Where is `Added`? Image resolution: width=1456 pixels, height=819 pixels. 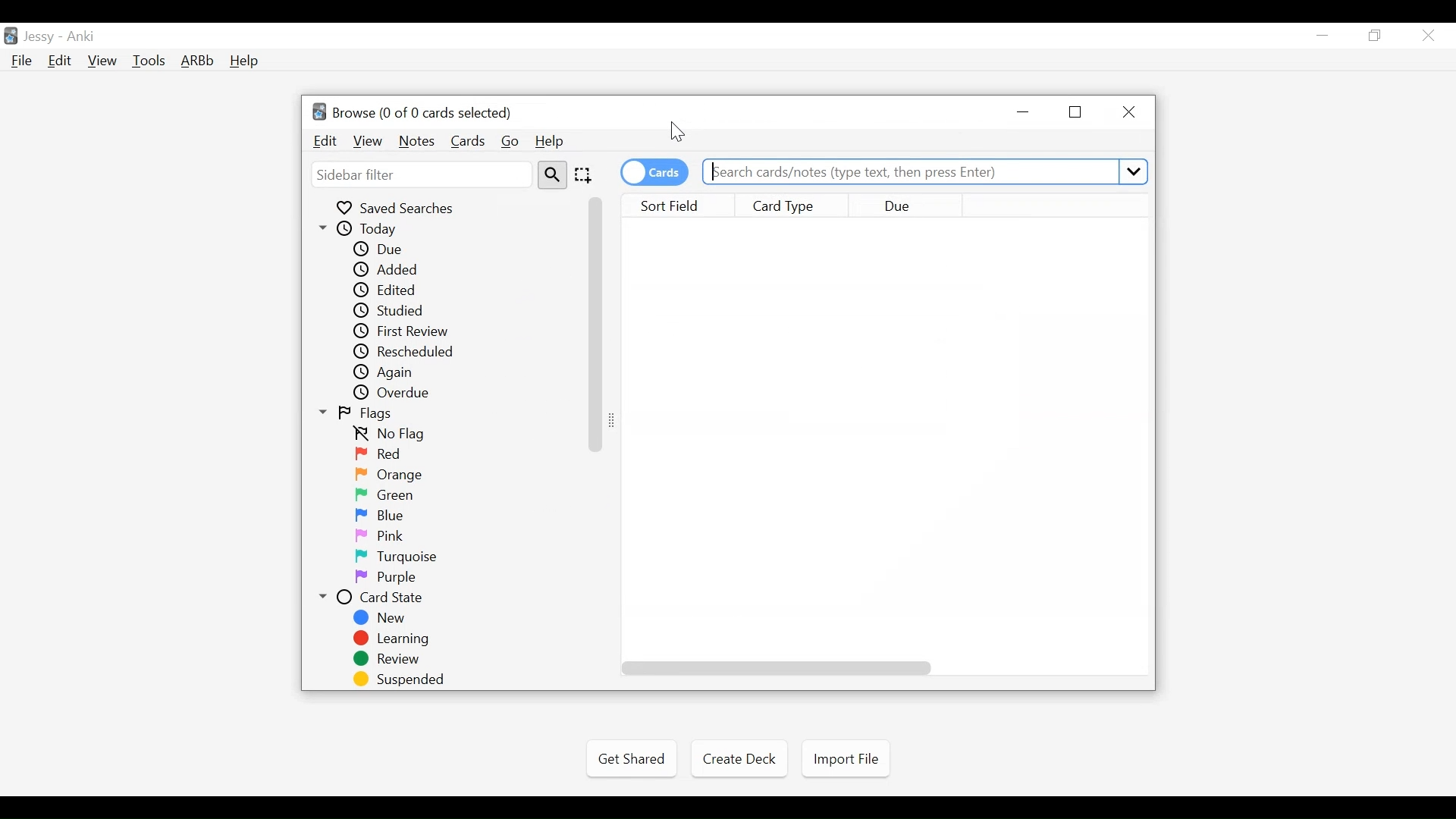
Added is located at coordinates (388, 269).